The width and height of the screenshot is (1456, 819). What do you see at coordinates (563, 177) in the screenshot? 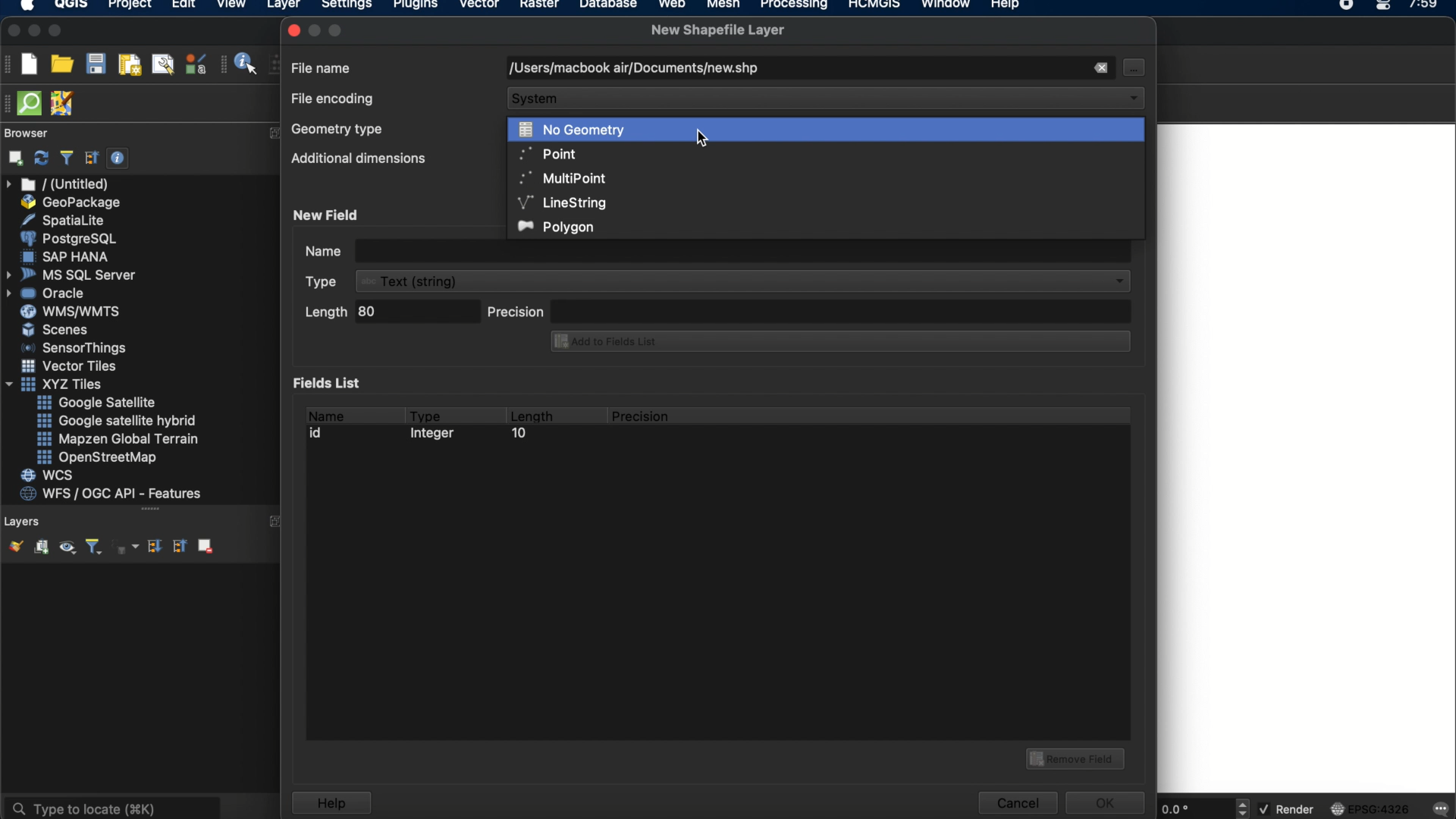
I see `multipoint` at bounding box center [563, 177].